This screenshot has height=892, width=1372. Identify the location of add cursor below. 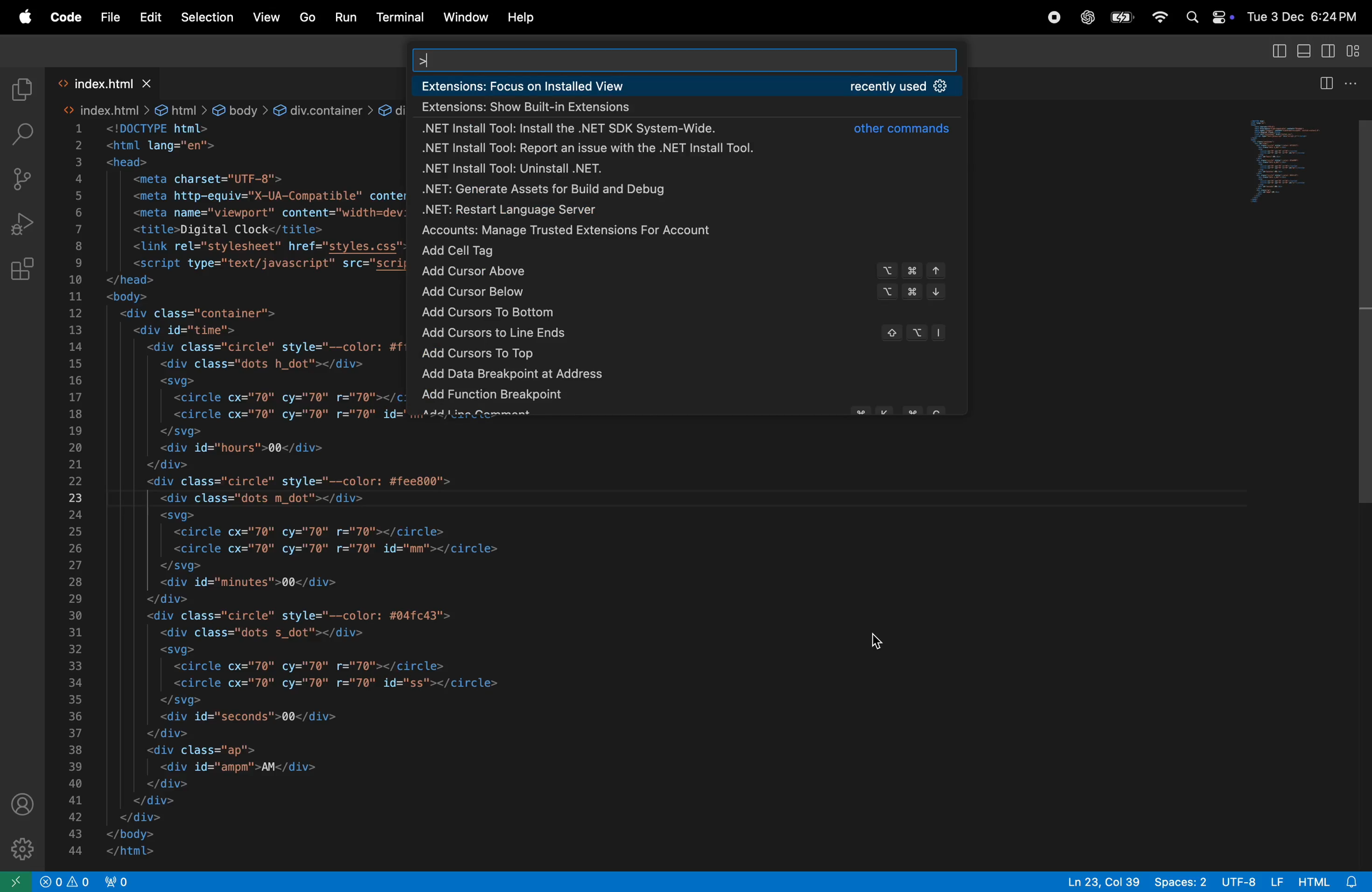
(689, 293).